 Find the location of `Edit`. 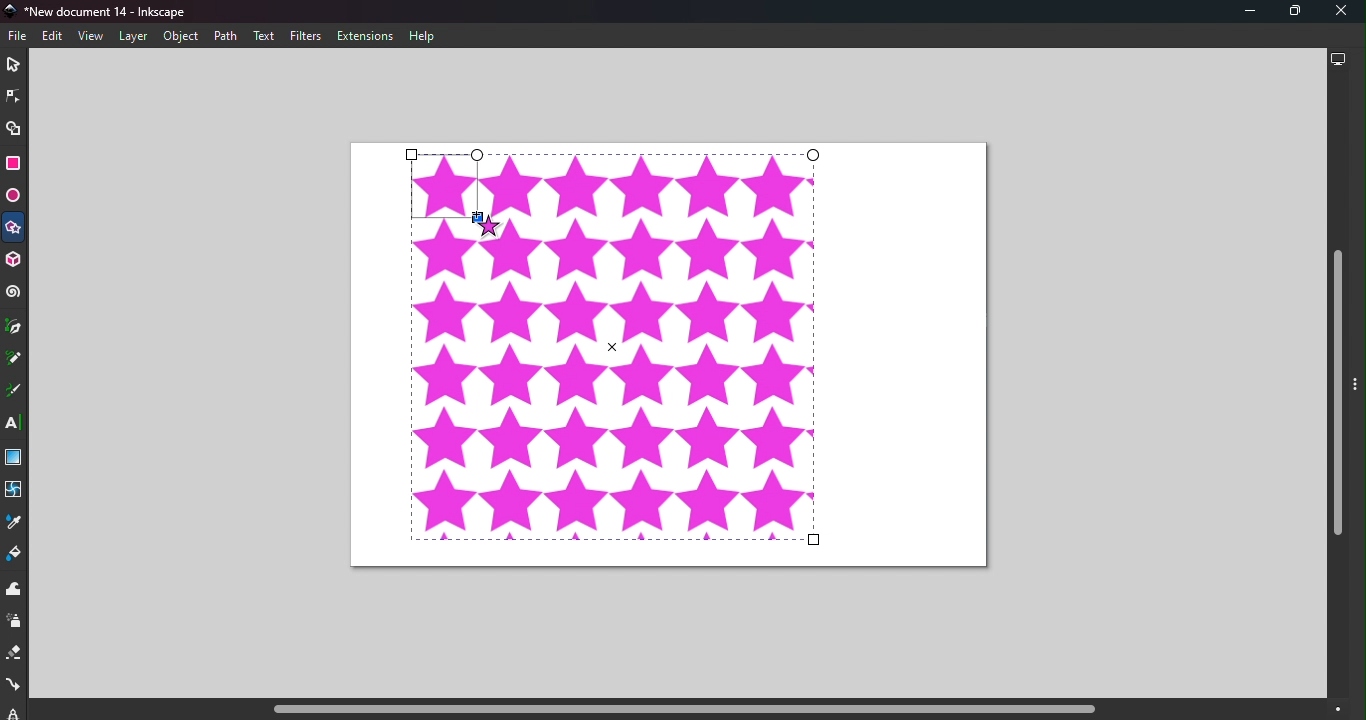

Edit is located at coordinates (52, 37).